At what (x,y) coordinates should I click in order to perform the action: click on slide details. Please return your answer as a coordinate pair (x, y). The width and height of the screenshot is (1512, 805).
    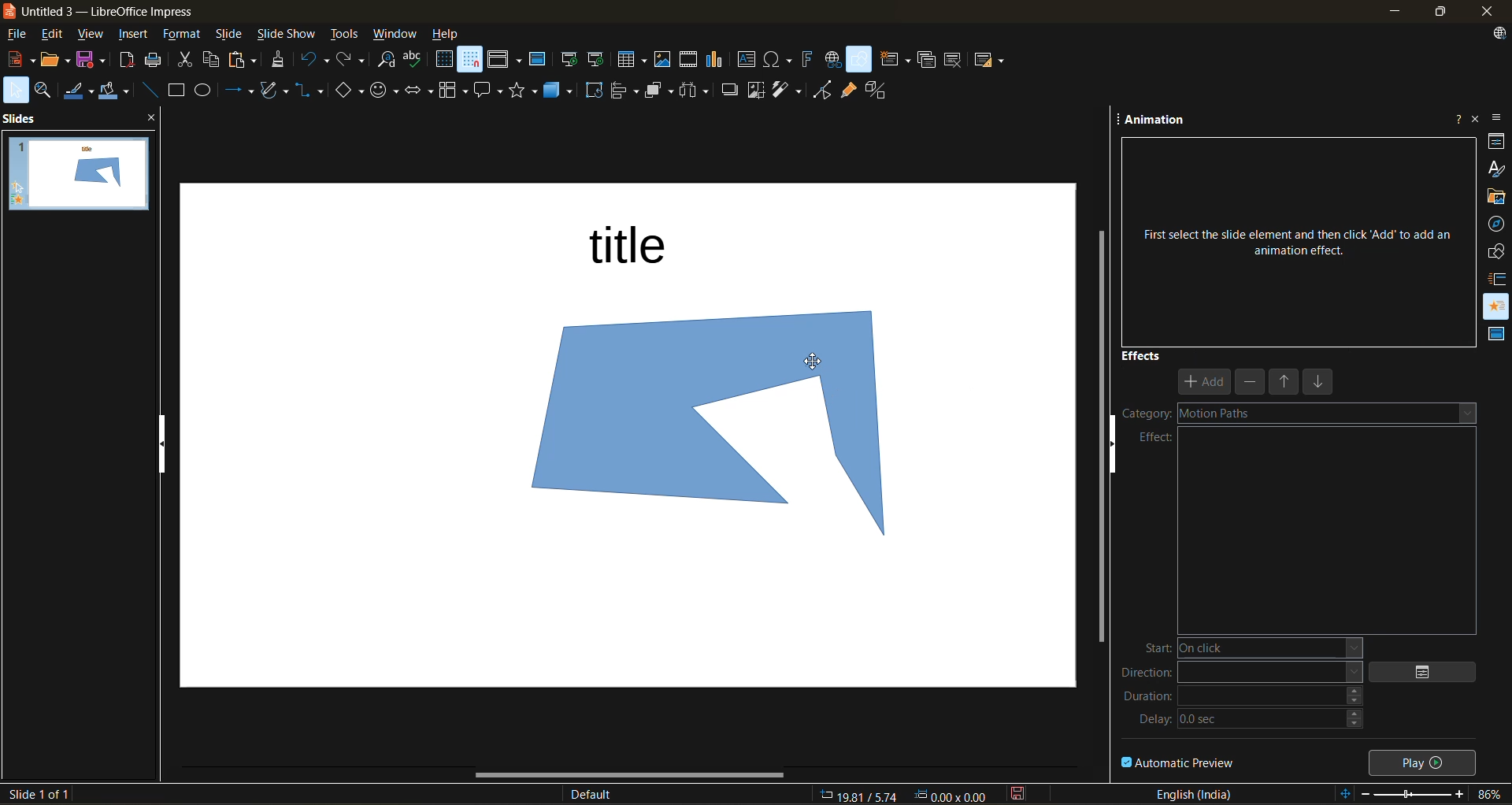
    Looking at the image, I should click on (37, 795).